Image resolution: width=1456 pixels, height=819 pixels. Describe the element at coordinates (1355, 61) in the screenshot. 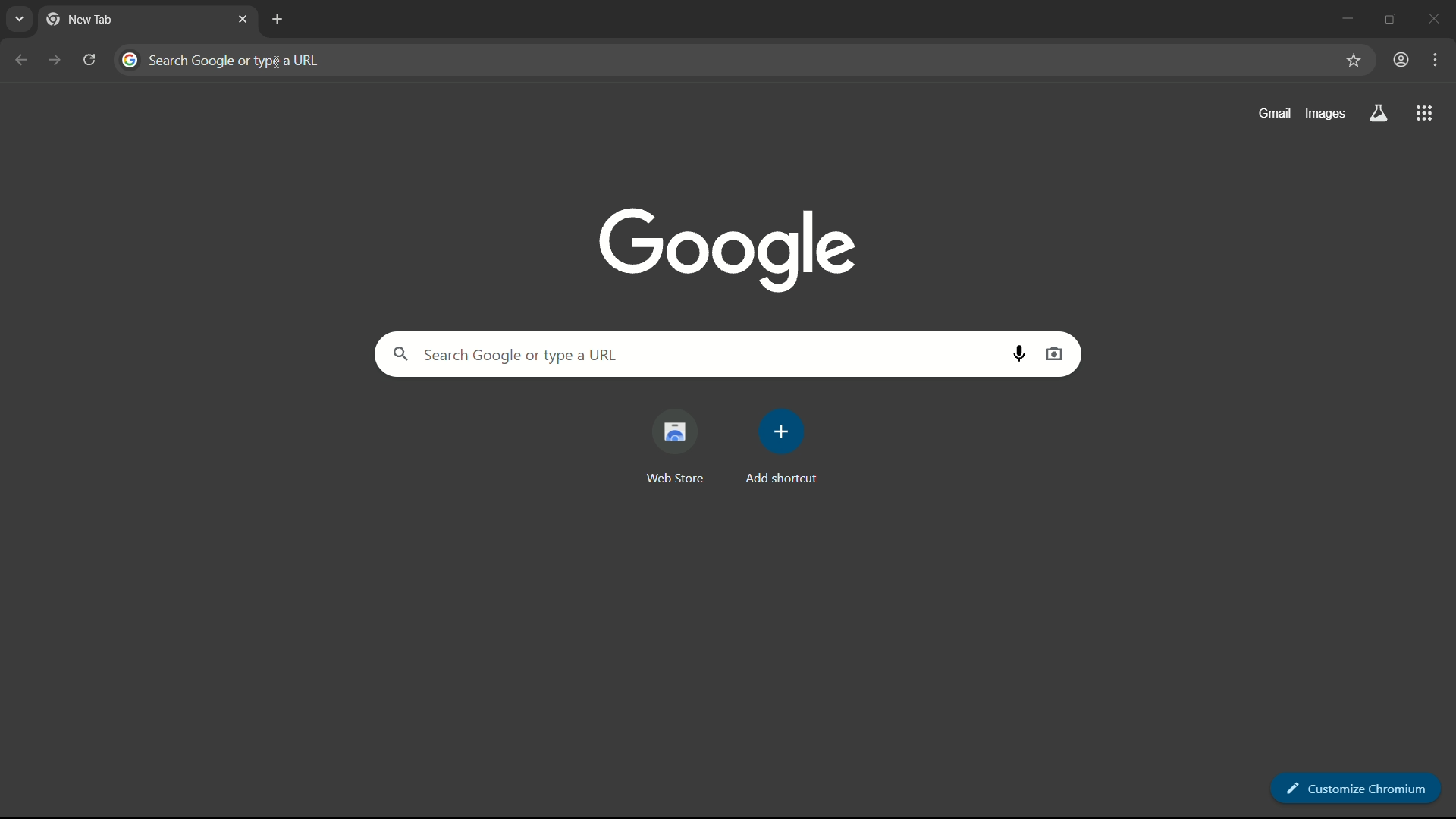

I see `favorite` at that location.